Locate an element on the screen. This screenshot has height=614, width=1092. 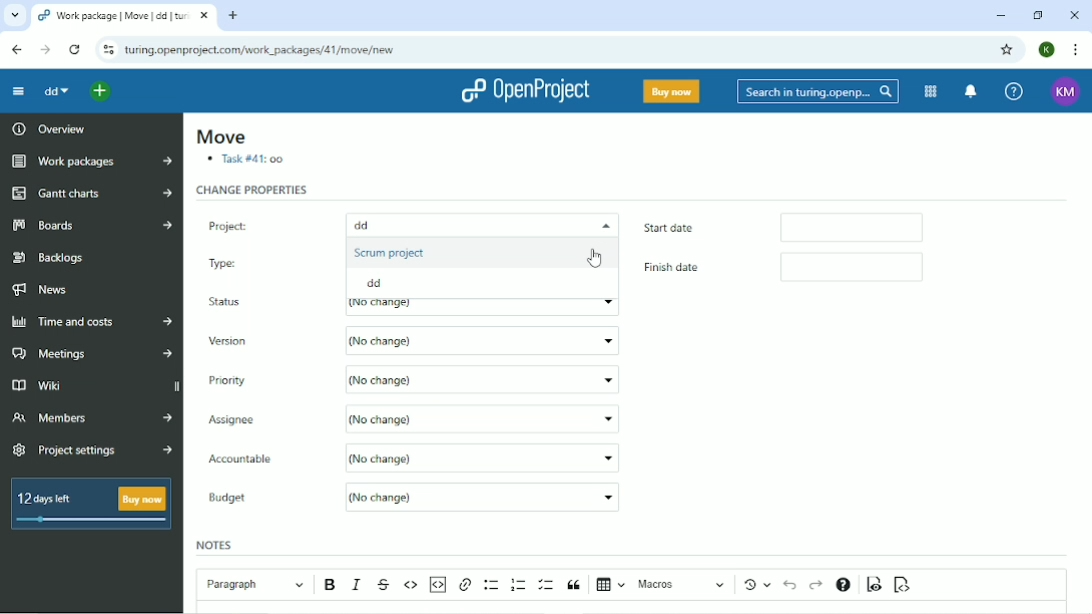
Buy now is located at coordinates (672, 91).